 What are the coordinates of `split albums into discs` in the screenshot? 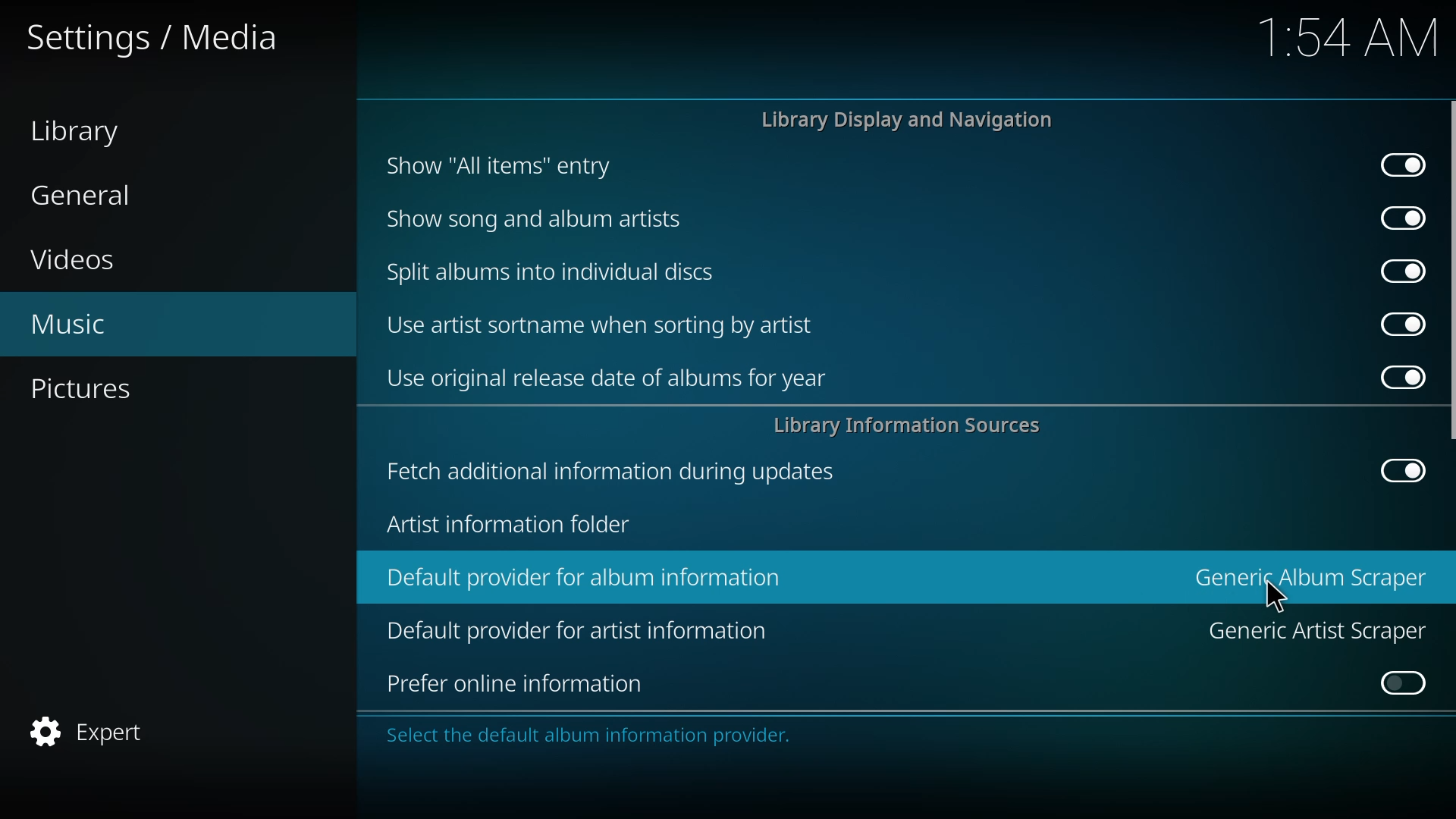 It's located at (557, 272).